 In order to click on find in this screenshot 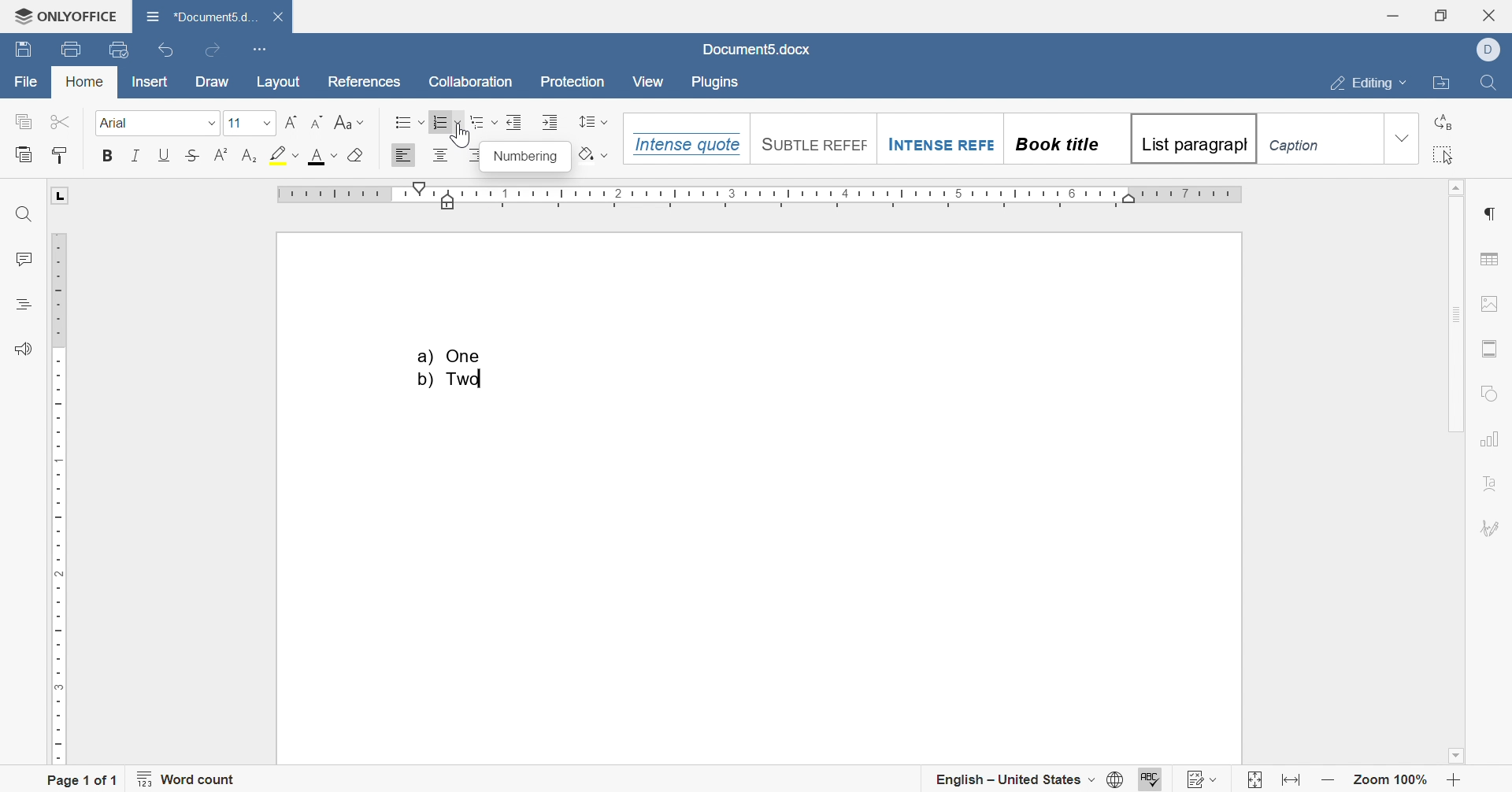, I will do `click(24, 217)`.